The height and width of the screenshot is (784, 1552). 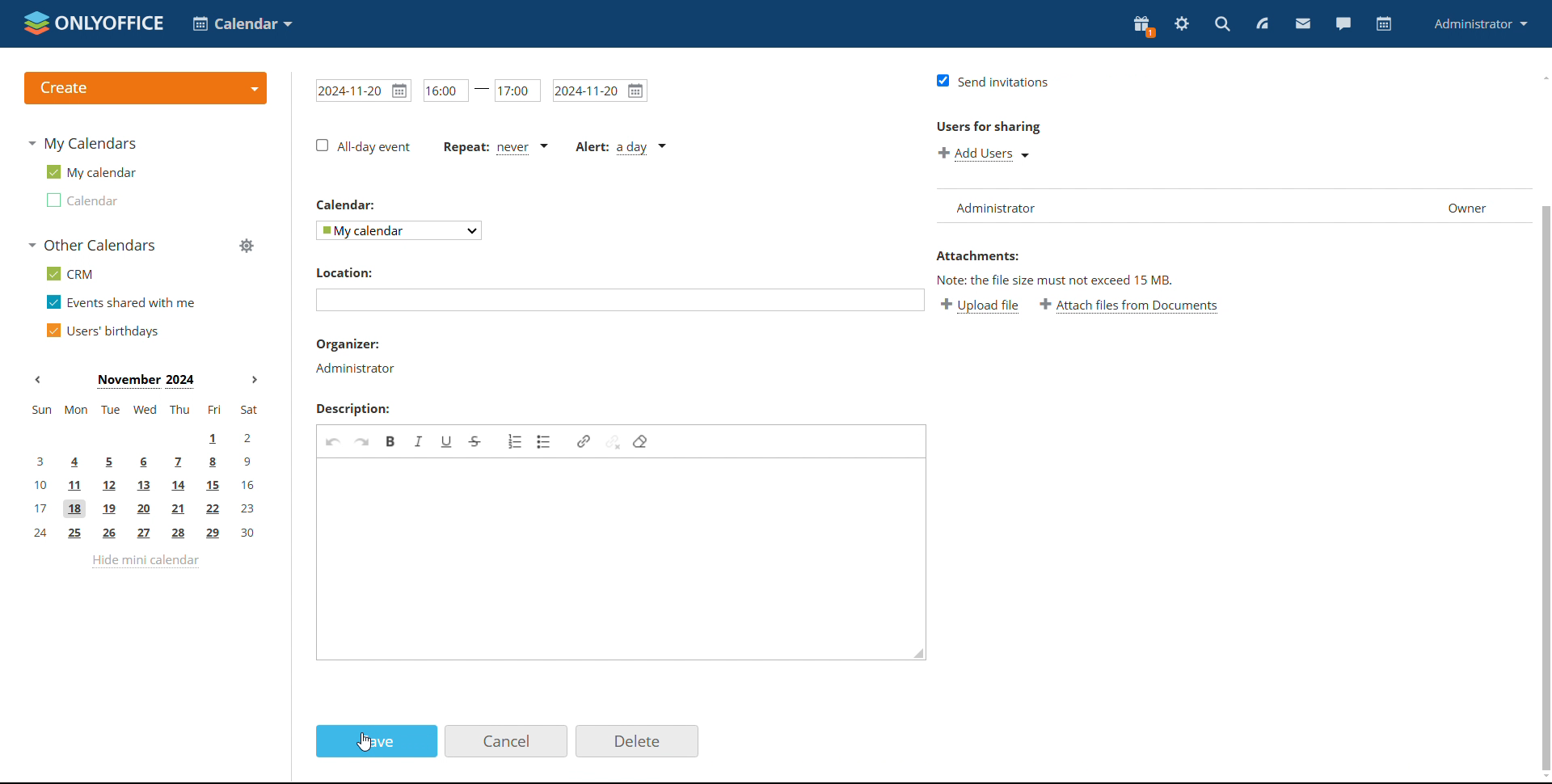 I want to click on scroll up, so click(x=1542, y=76).